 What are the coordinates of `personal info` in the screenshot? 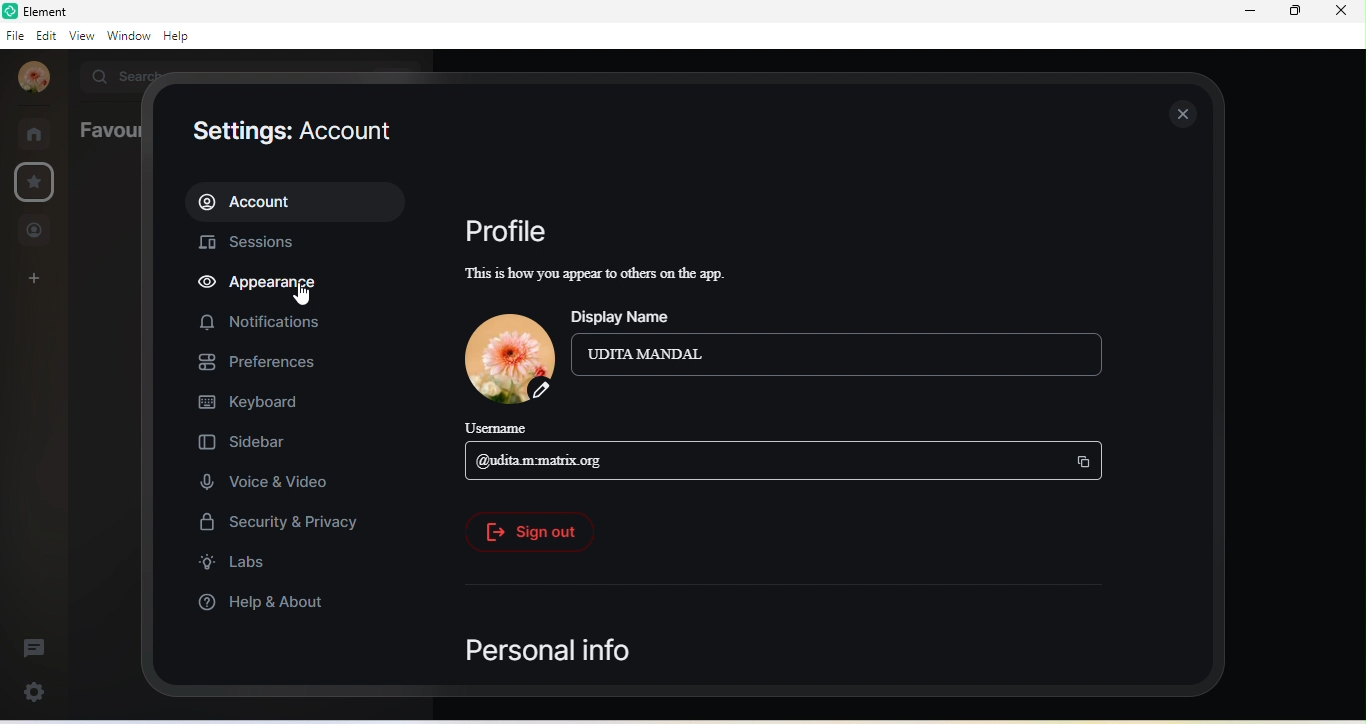 It's located at (553, 649).